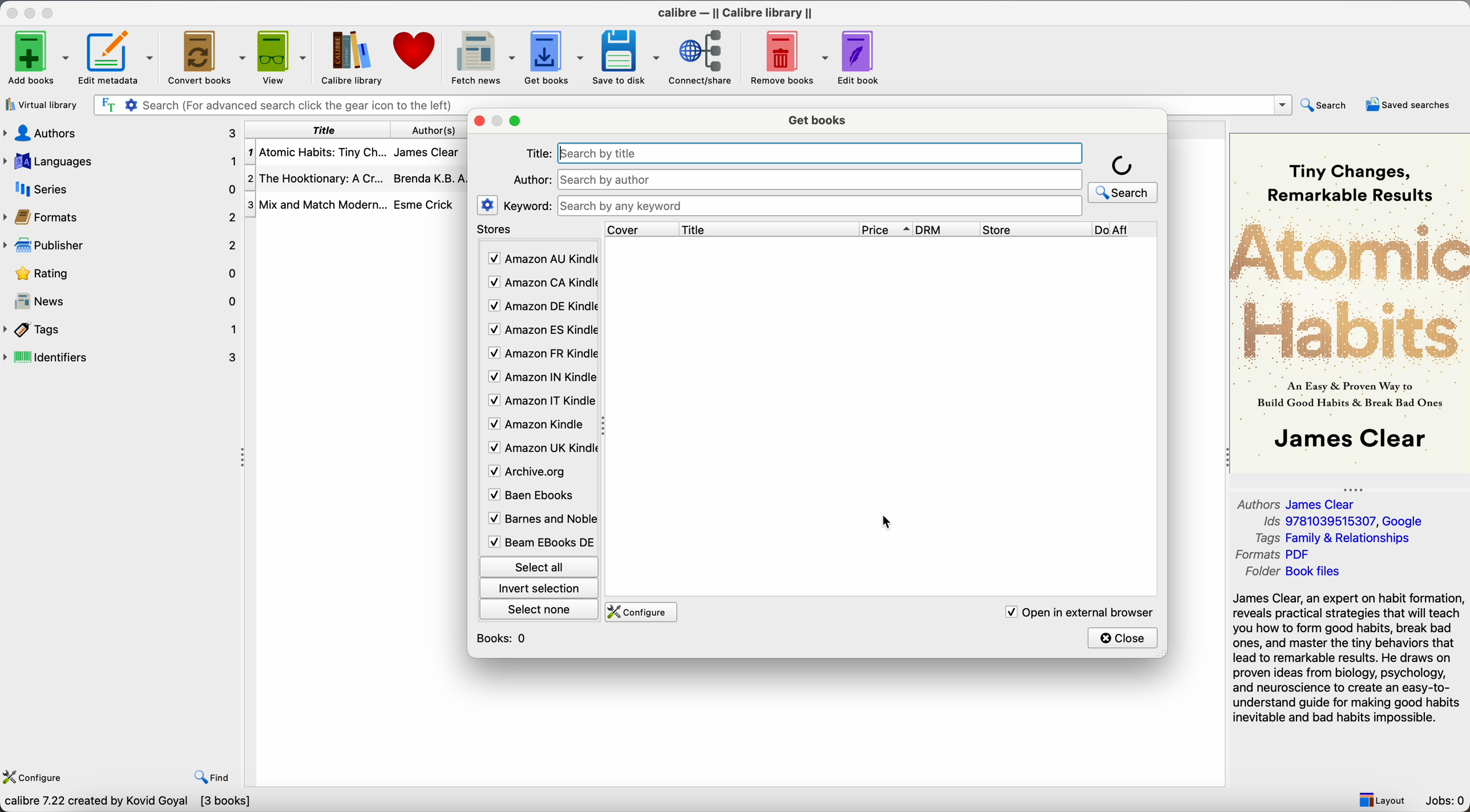 The width and height of the screenshot is (1470, 812). What do you see at coordinates (767, 229) in the screenshot?
I see `title` at bounding box center [767, 229].